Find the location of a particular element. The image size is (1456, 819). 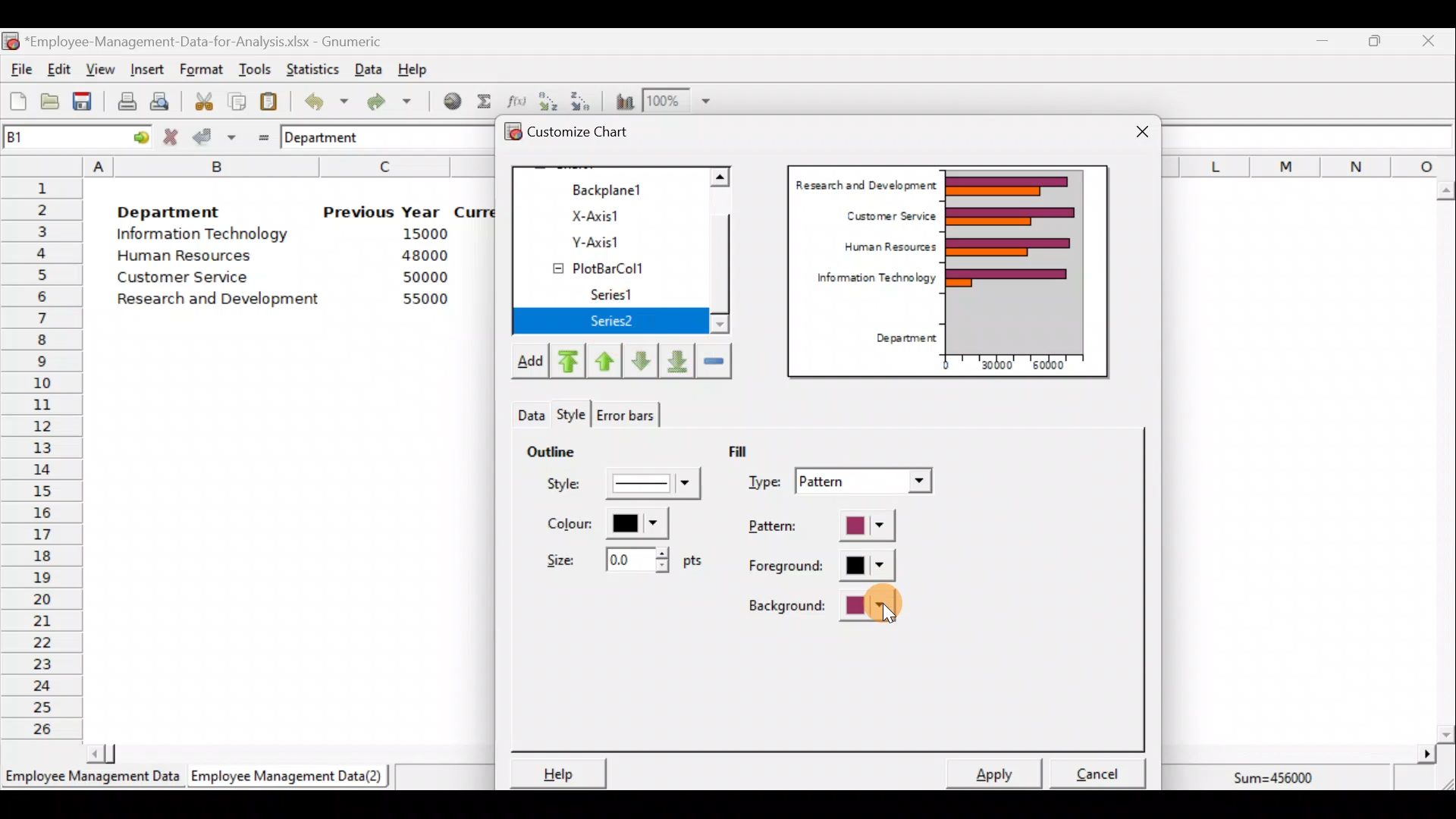

Move up is located at coordinates (604, 359).